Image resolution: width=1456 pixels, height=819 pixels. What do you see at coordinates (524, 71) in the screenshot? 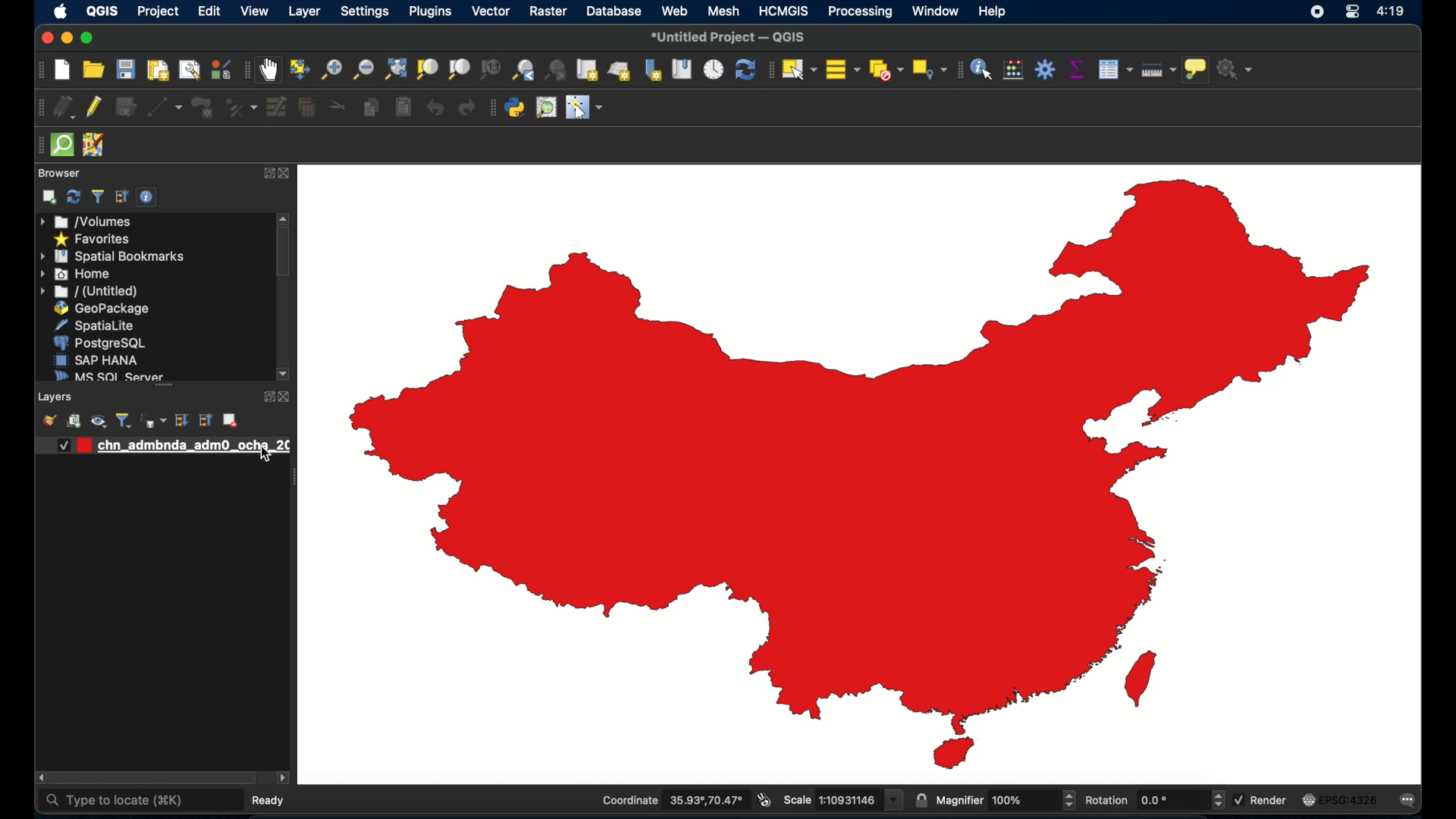
I see `zoom last` at bounding box center [524, 71].